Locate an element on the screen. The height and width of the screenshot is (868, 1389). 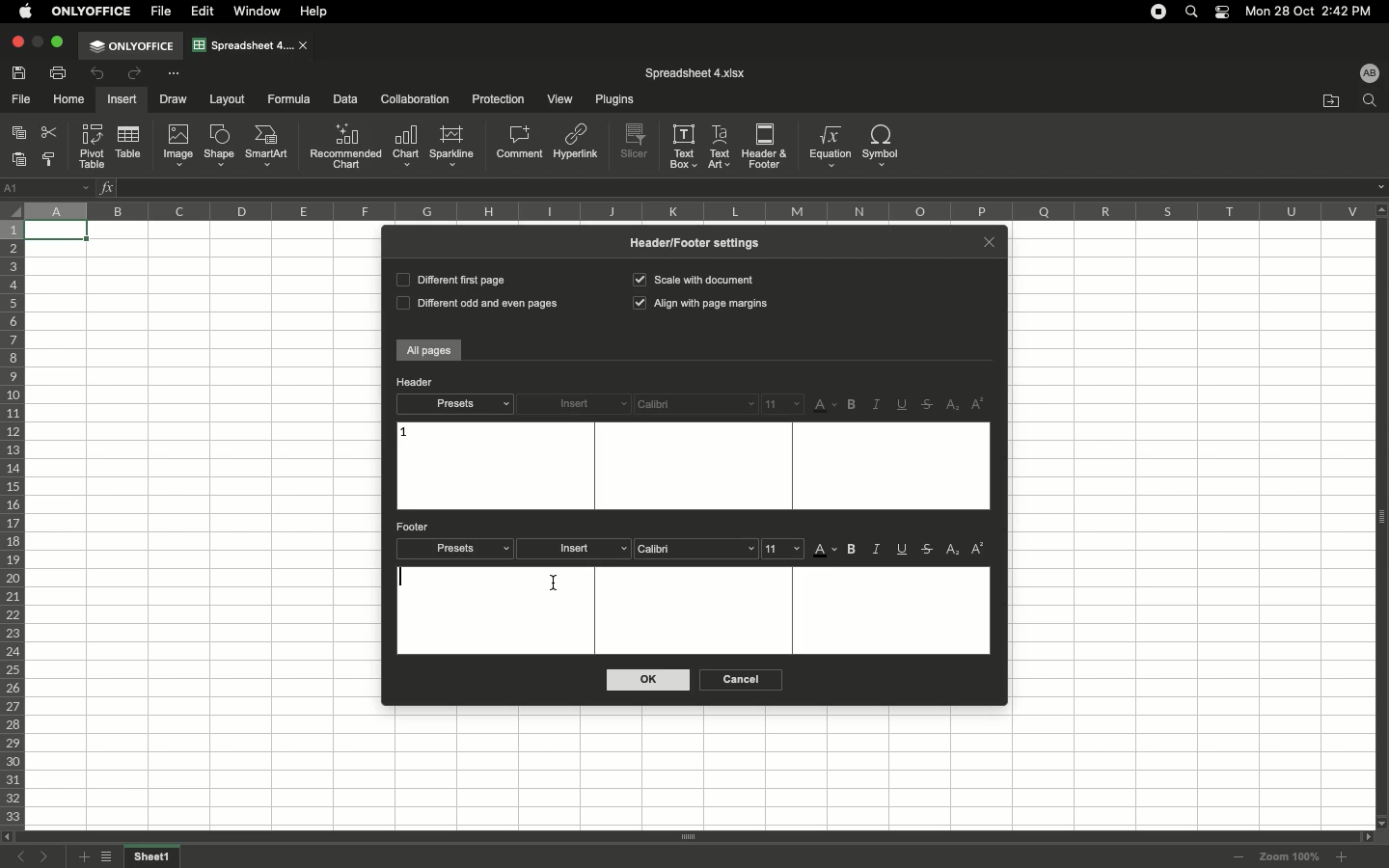
Equation is located at coordinates (828, 146).